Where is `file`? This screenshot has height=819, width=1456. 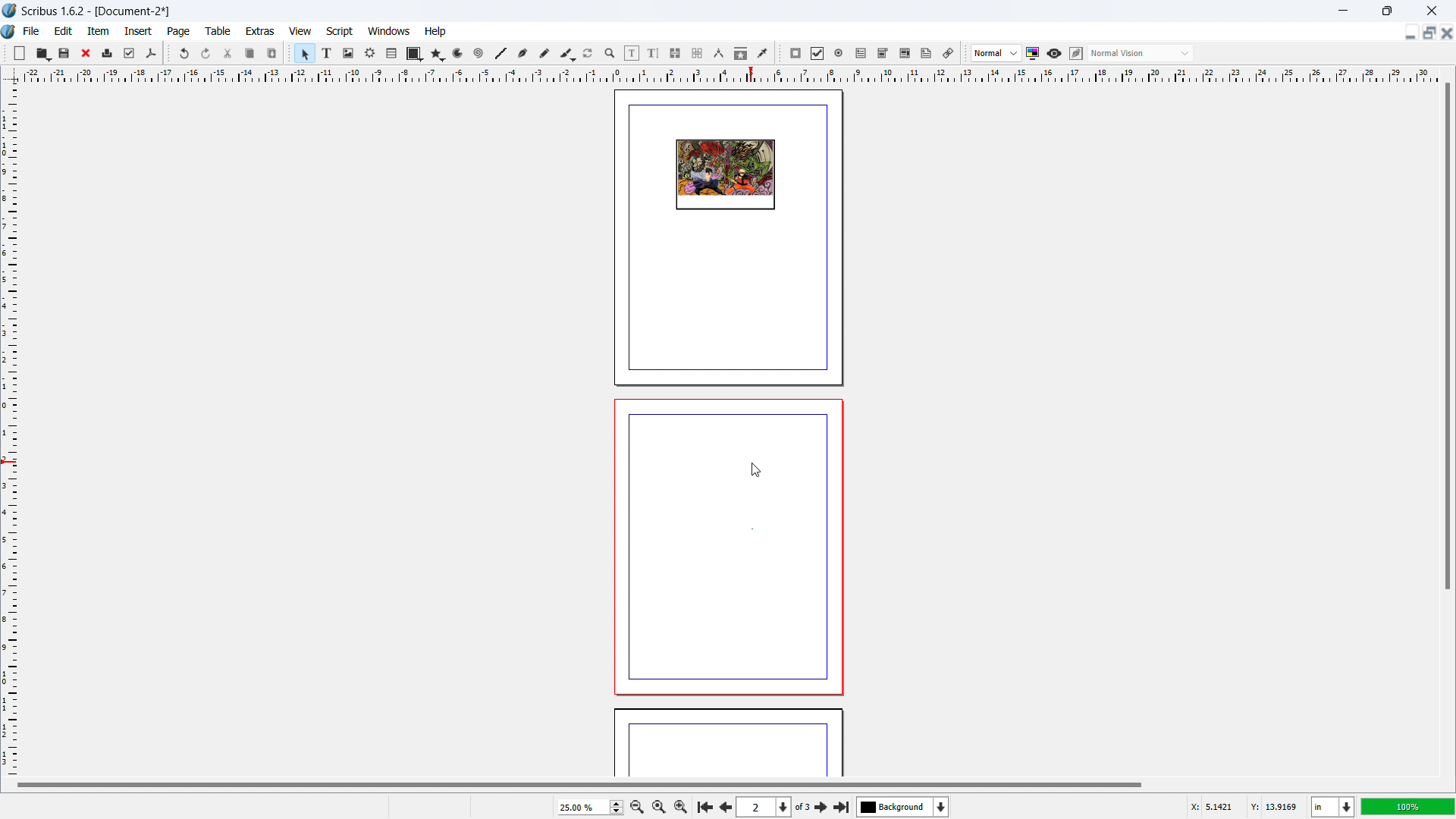 file is located at coordinates (30, 31).